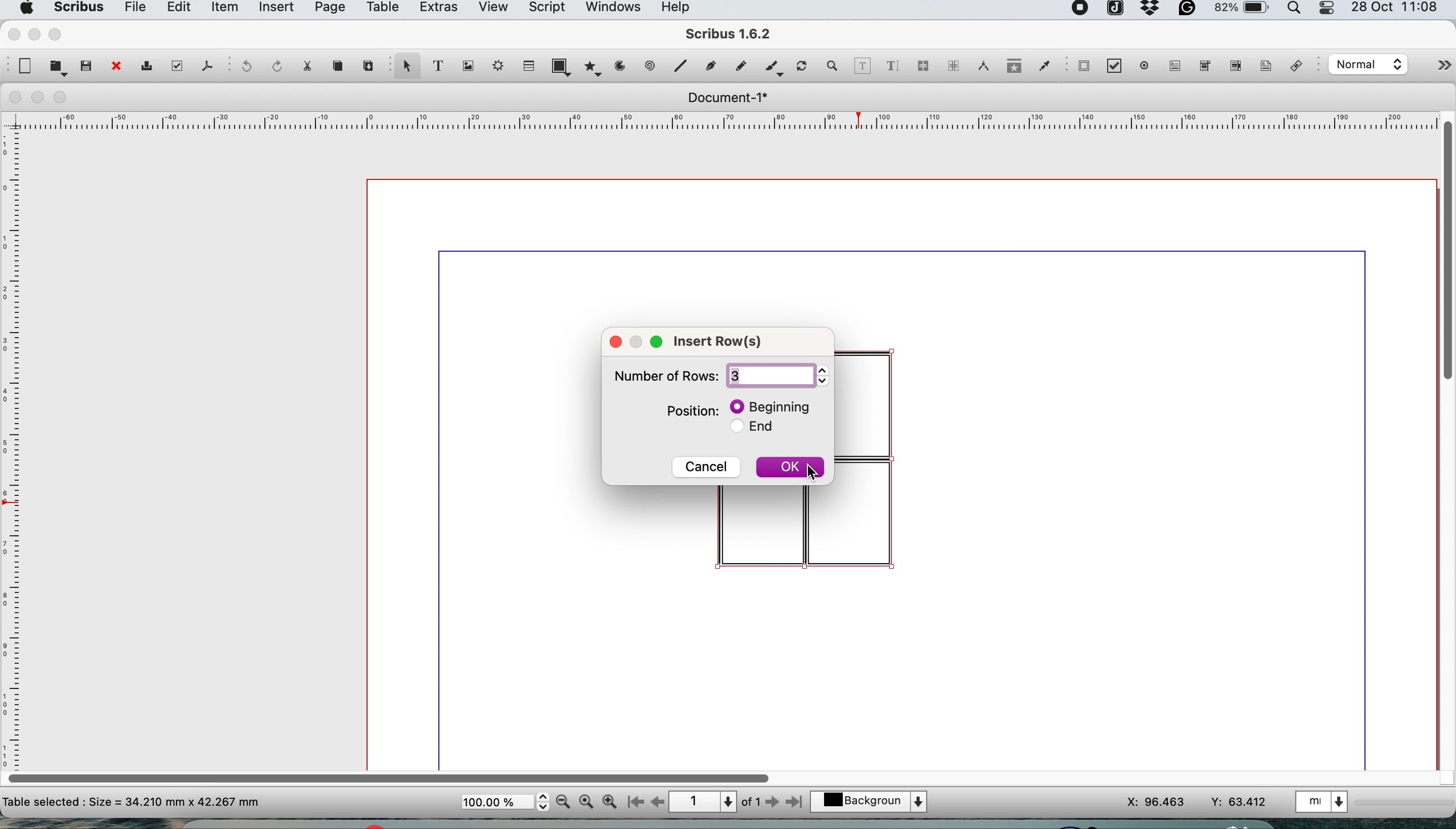 The width and height of the screenshot is (1456, 829). I want to click on calligraphic line, so click(772, 69).